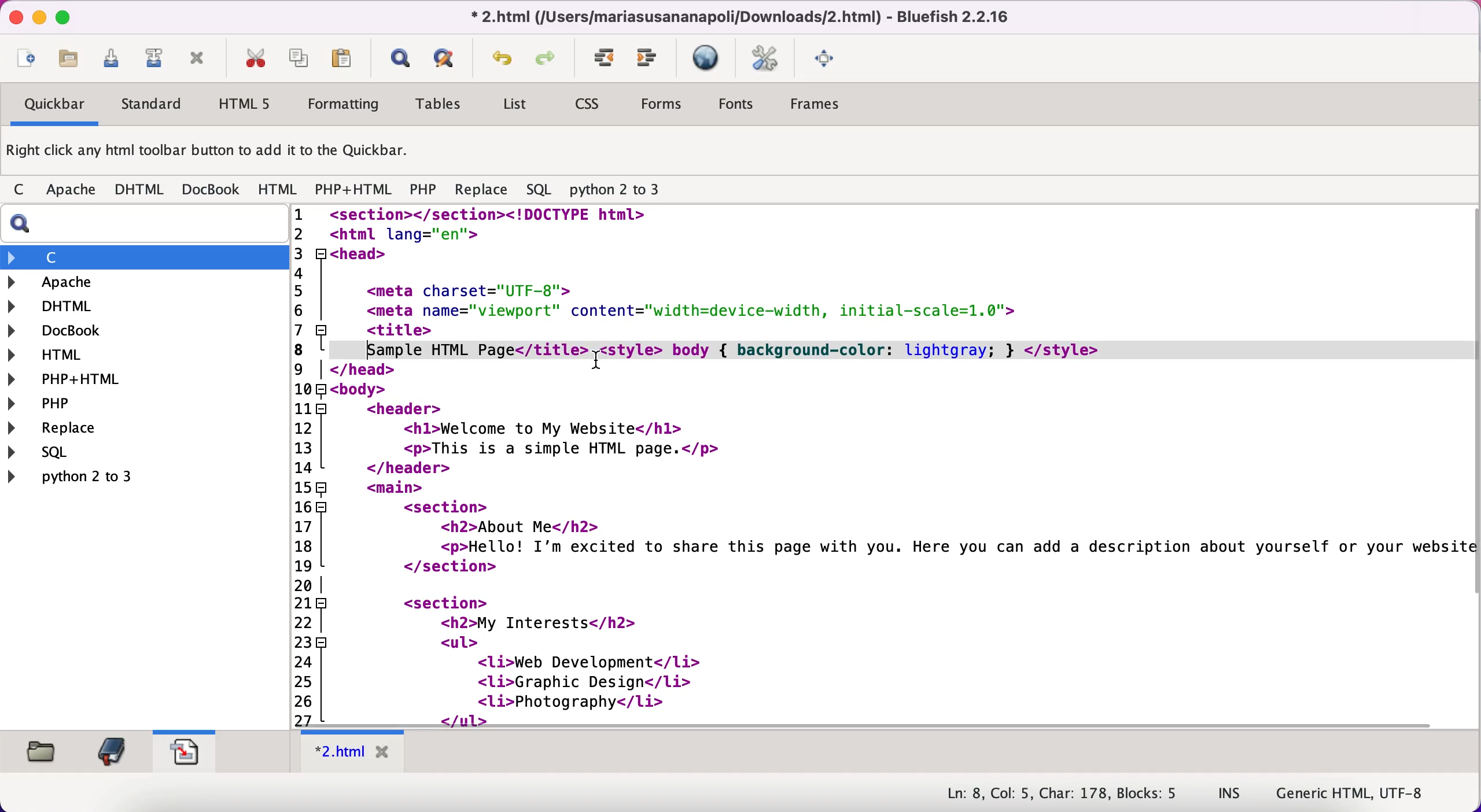 This screenshot has width=1481, height=812. Describe the element at coordinates (73, 192) in the screenshot. I see `apache` at that location.